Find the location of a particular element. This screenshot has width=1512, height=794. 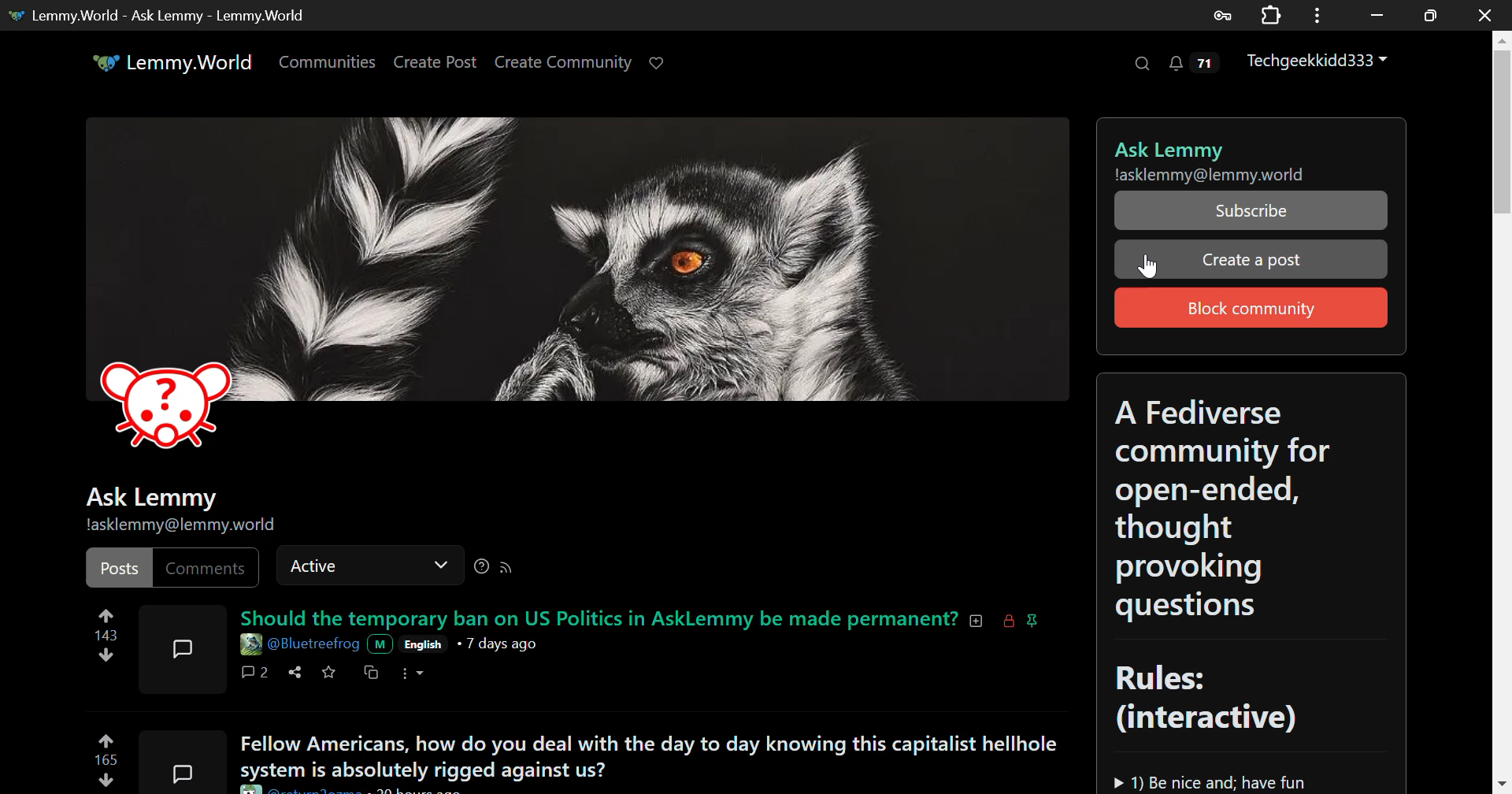

Create a post is located at coordinates (1252, 258).